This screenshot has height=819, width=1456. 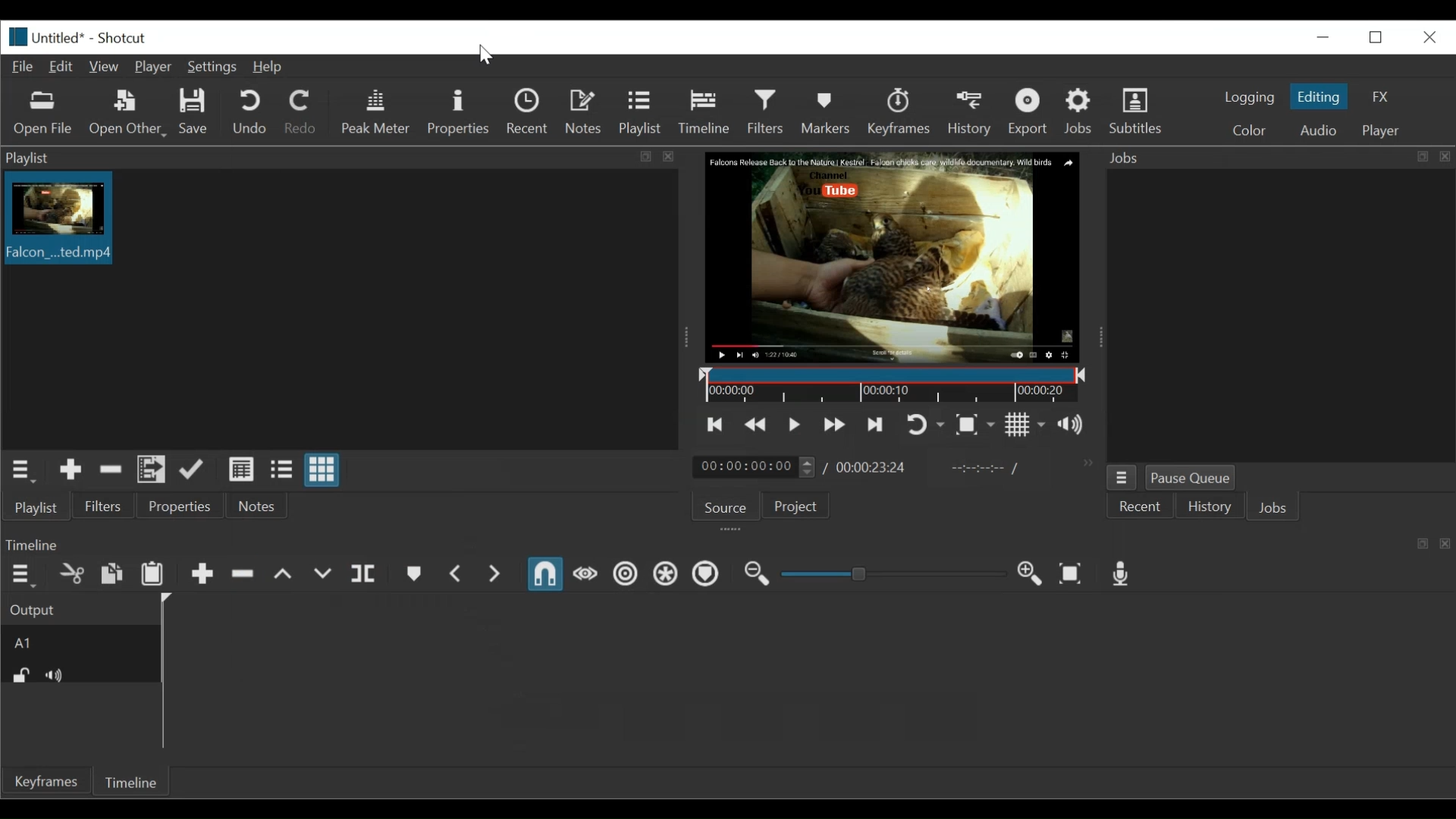 I want to click on History, so click(x=971, y=114).